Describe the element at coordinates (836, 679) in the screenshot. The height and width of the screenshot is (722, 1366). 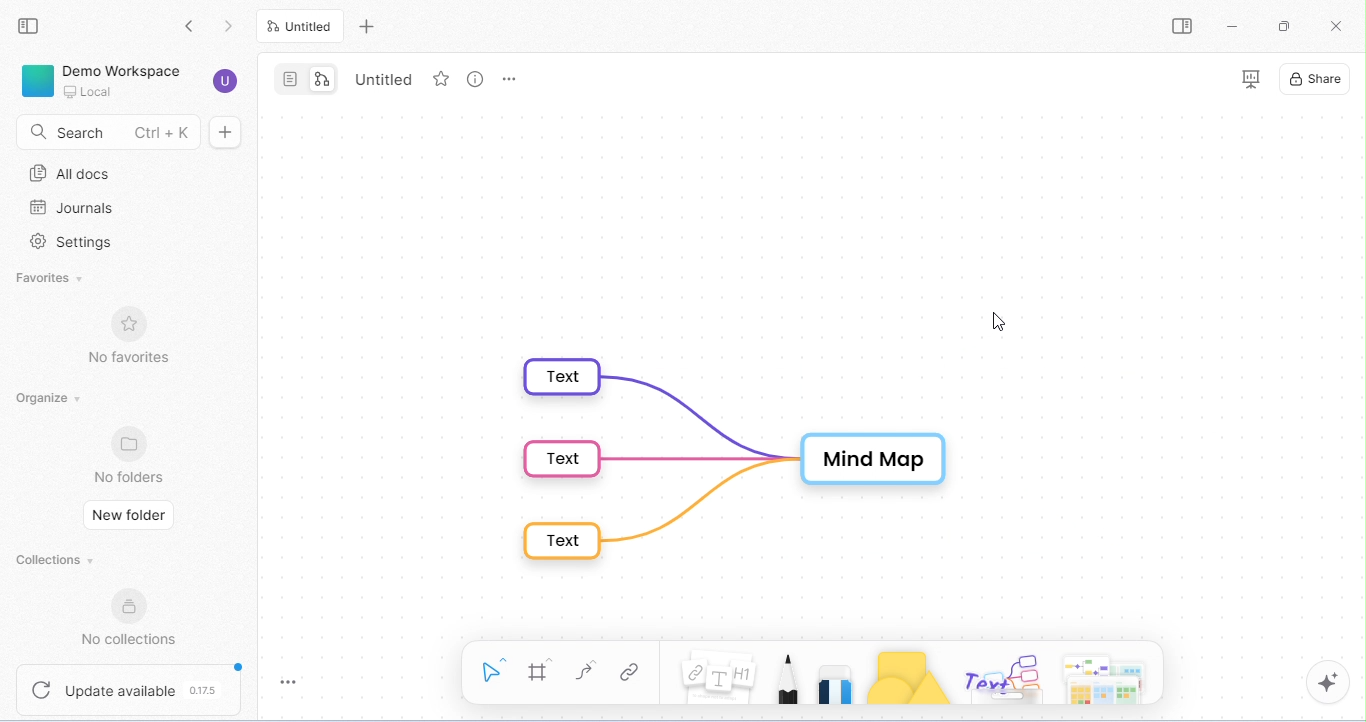
I see `eraser` at that location.